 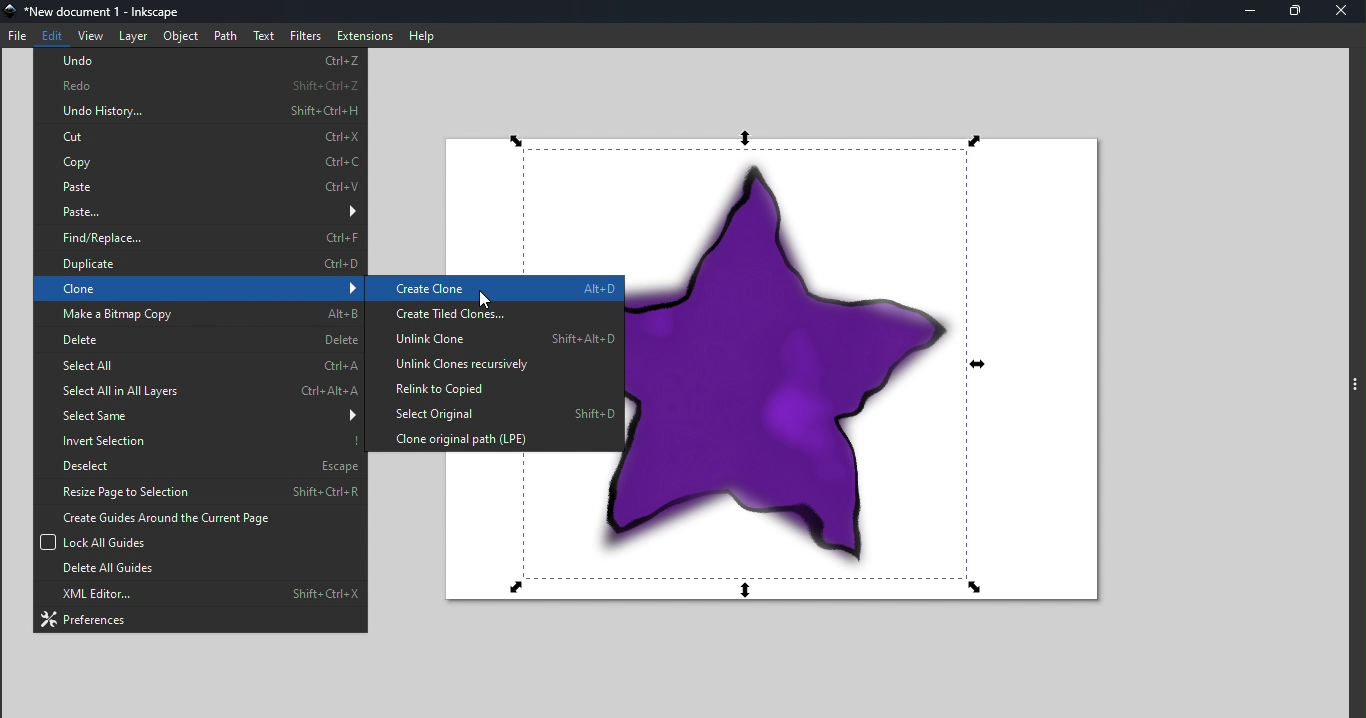 I want to click on Select same, so click(x=202, y=414).